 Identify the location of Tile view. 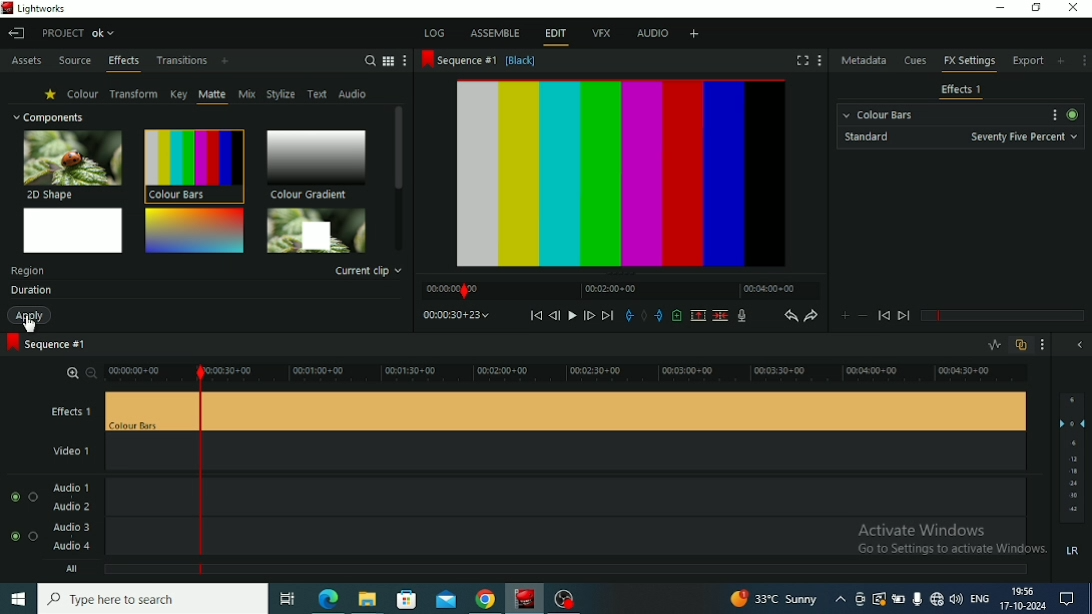
(389, 61).